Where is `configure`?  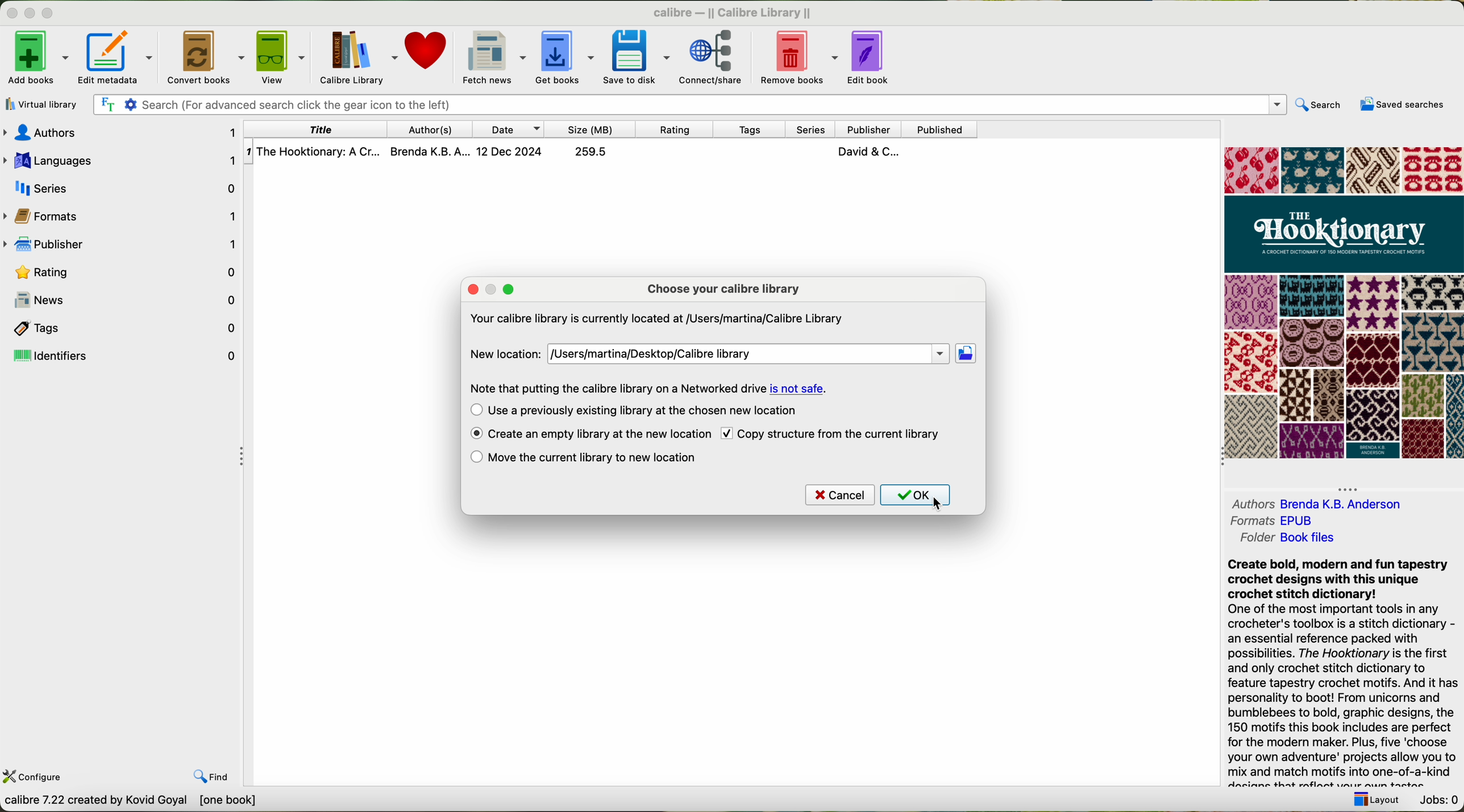 configure is located at coordinates (36, 776).